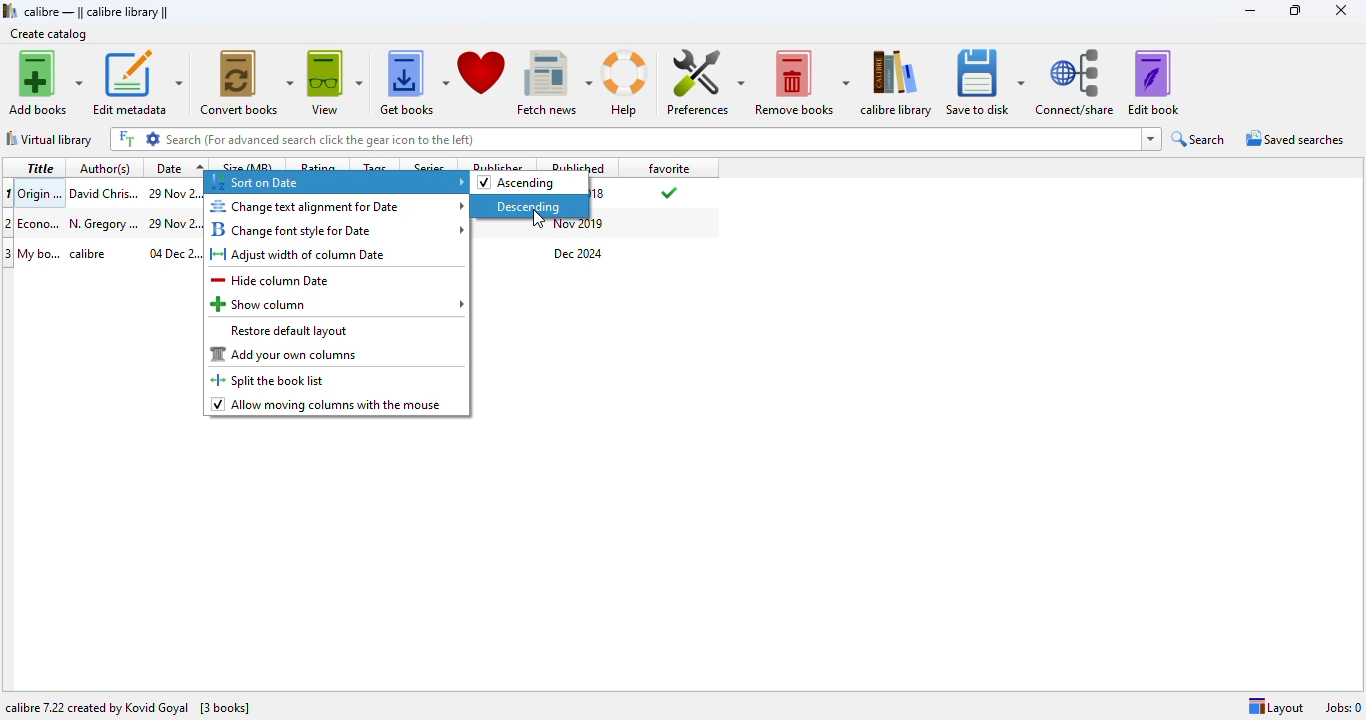  Describe the element at coordinates (1251, 11) in the screenshot. I see `minimize` at that location.